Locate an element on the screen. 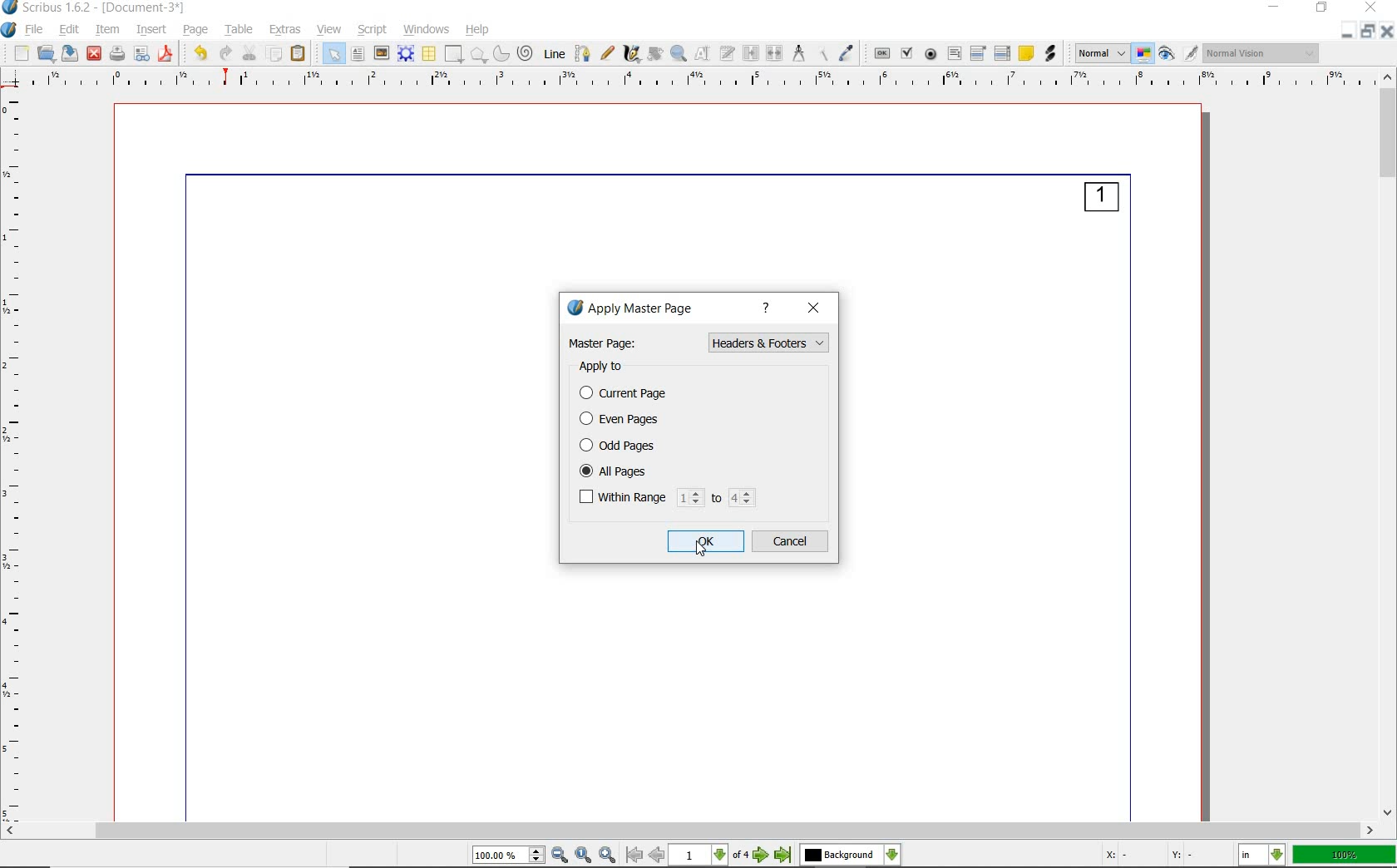  help is located at coordinates (479, 31).